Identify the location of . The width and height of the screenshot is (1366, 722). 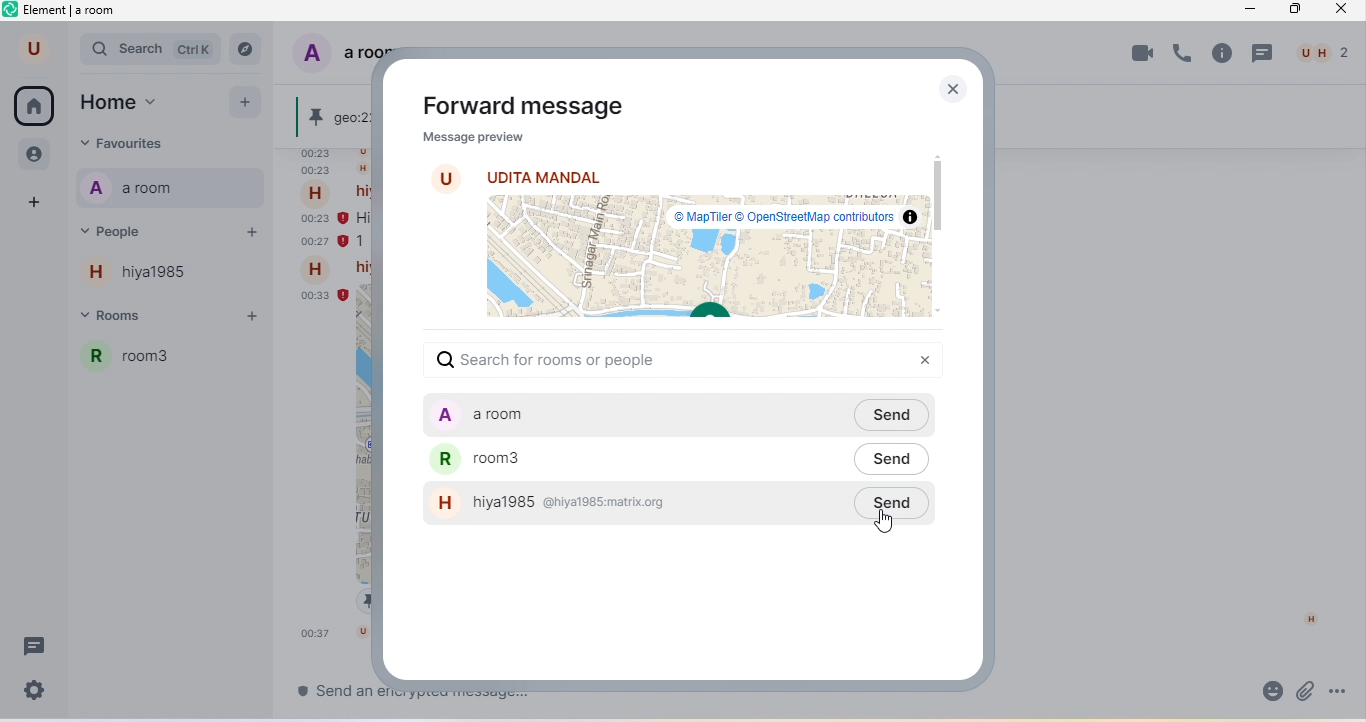
(329, 690).